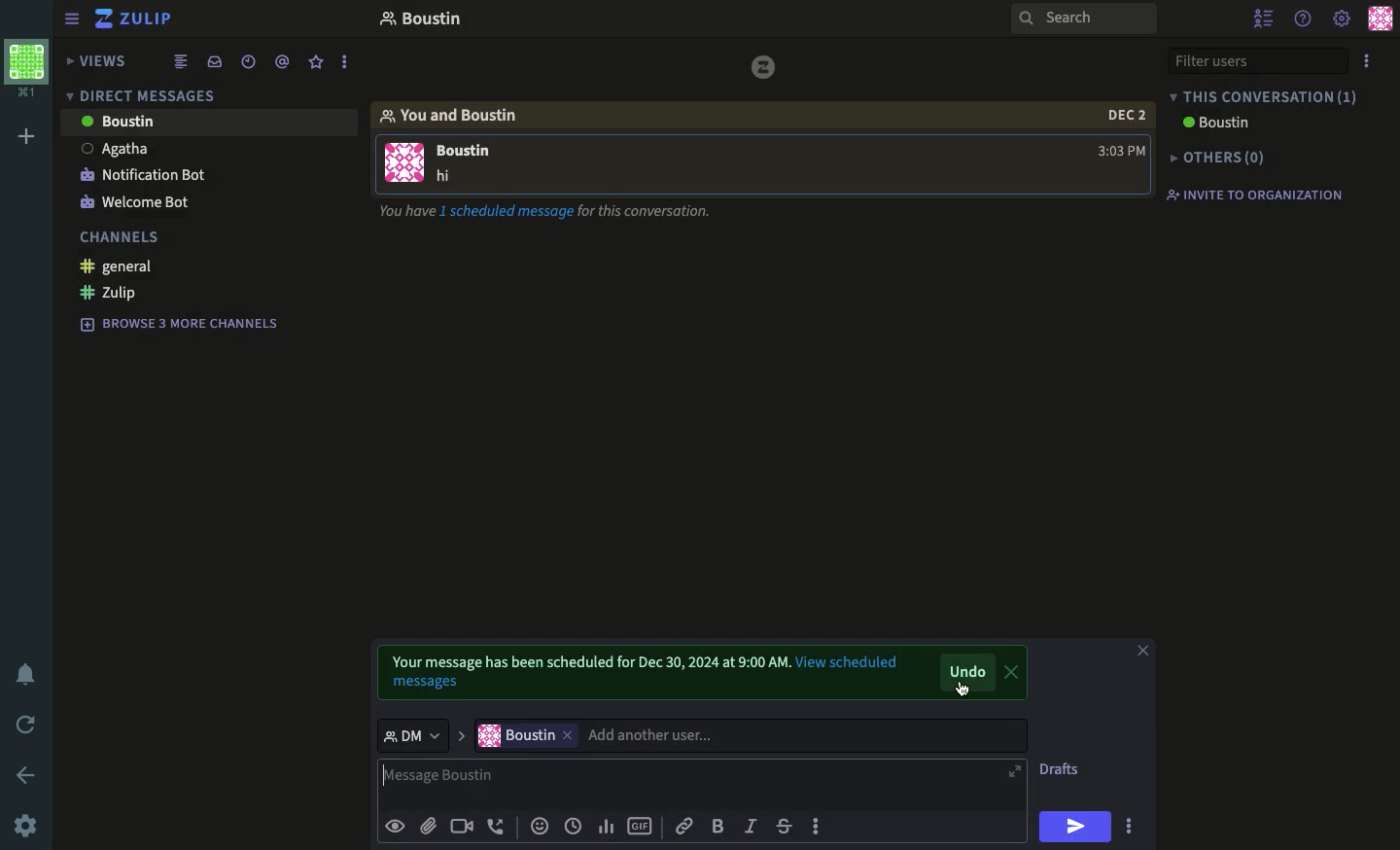  What do you see at coordinates (72, 20) in the screenshot?
I see `sidebar` at bounding box center [72, 20].